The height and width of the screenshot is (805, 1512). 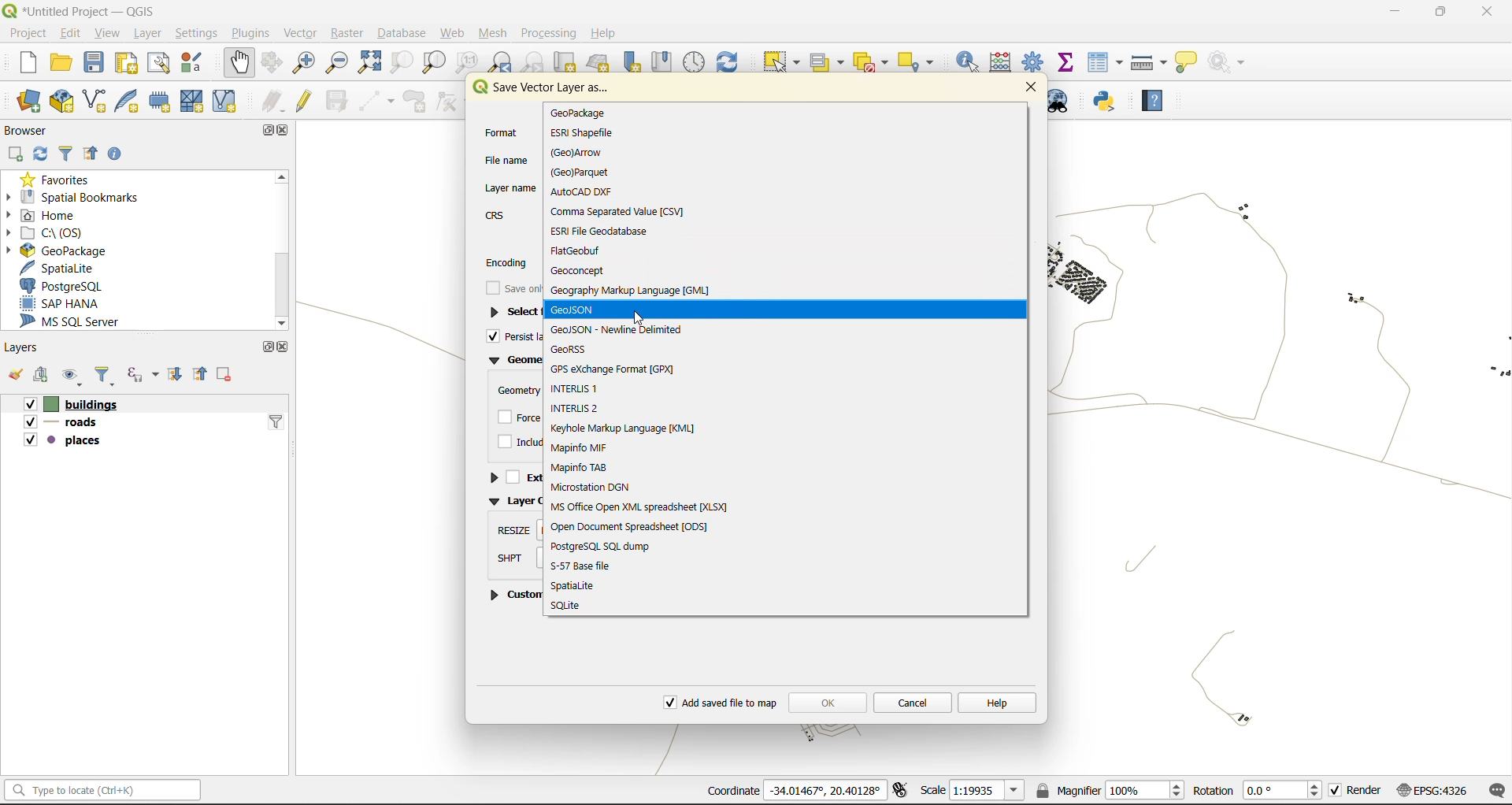 I want to click on save edits, so click(x=336, y=99).